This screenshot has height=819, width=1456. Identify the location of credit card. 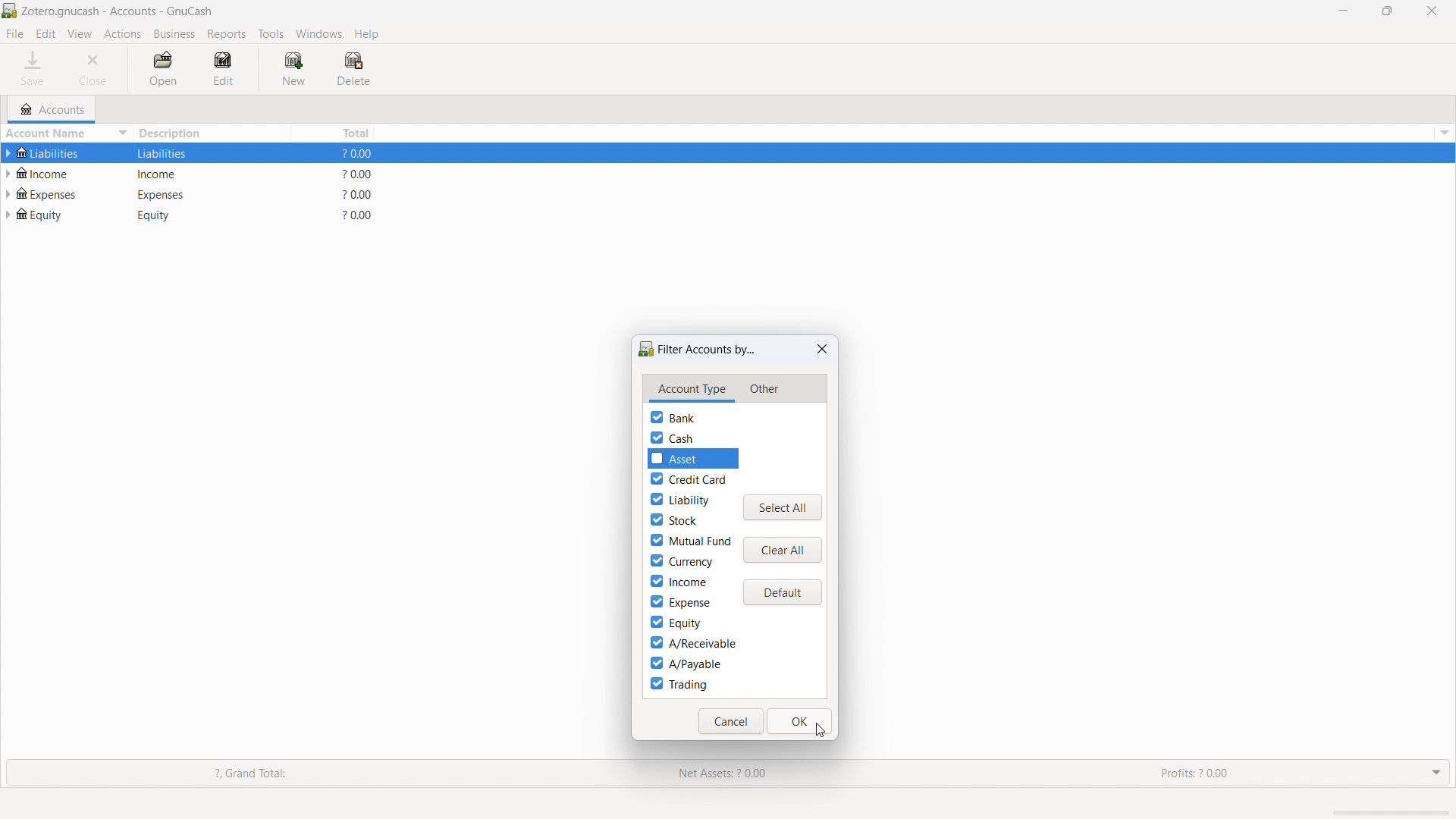
(689, 479).